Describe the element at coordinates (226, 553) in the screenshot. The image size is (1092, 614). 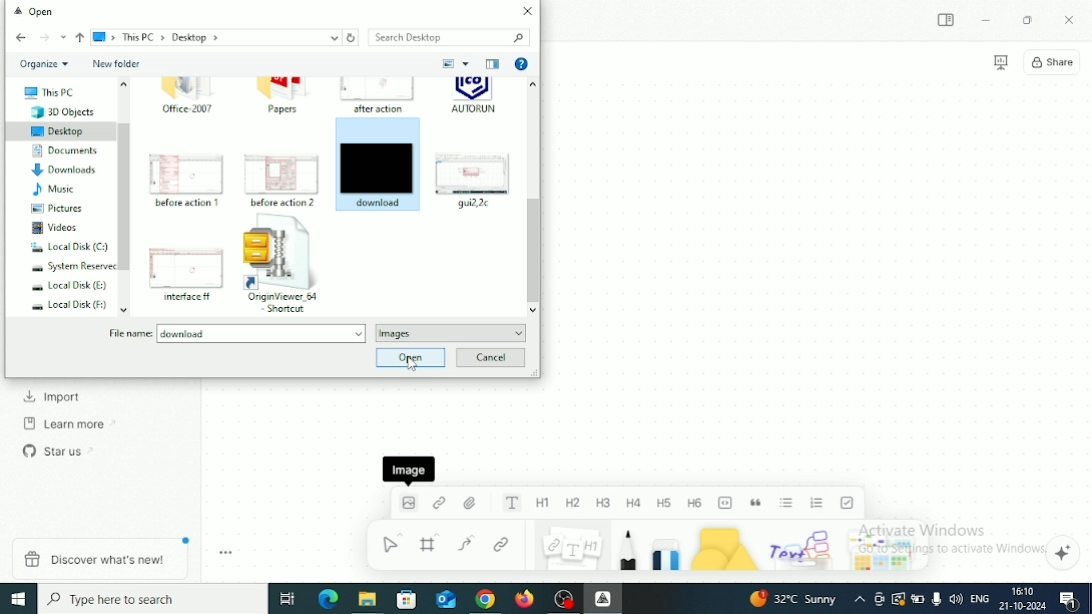
I see `Toggle zoom tool bar` at that location.